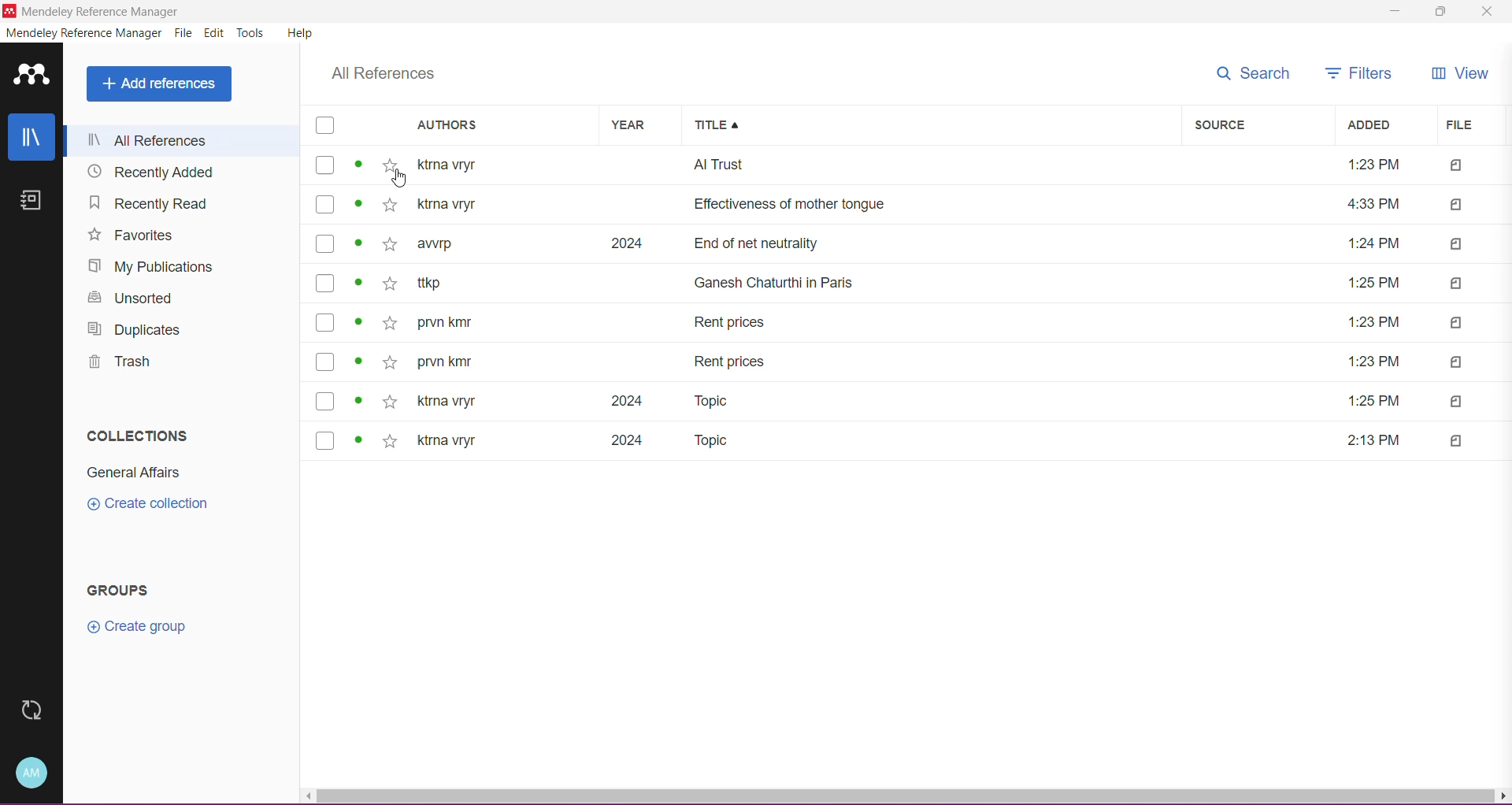  What do you see at coordinates (325, 401) in the screenshot?
I see `Click to select` at bounding box center [325, 401].